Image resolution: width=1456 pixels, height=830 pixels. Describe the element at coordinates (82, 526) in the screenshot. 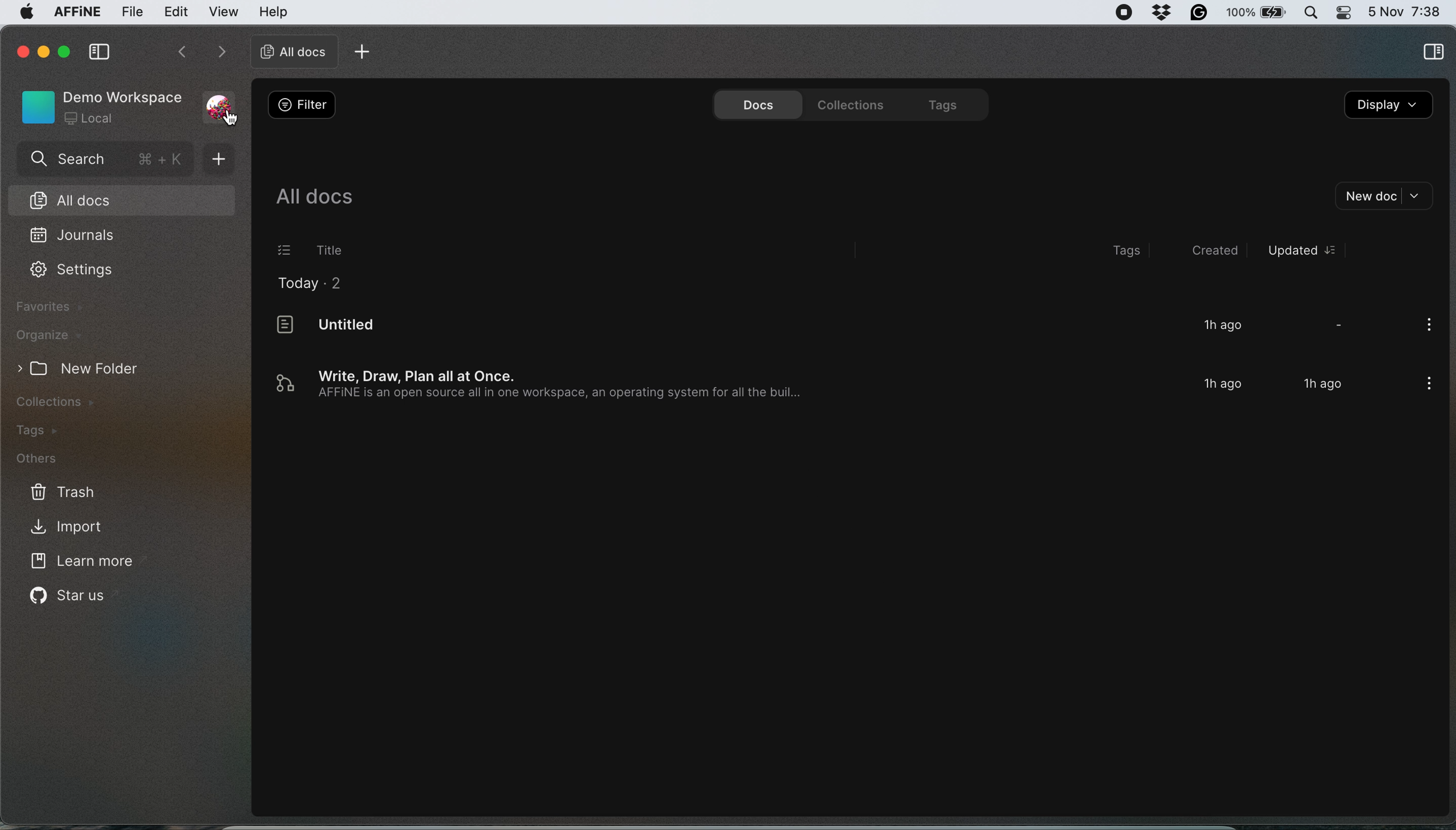

I see `import` at that location.